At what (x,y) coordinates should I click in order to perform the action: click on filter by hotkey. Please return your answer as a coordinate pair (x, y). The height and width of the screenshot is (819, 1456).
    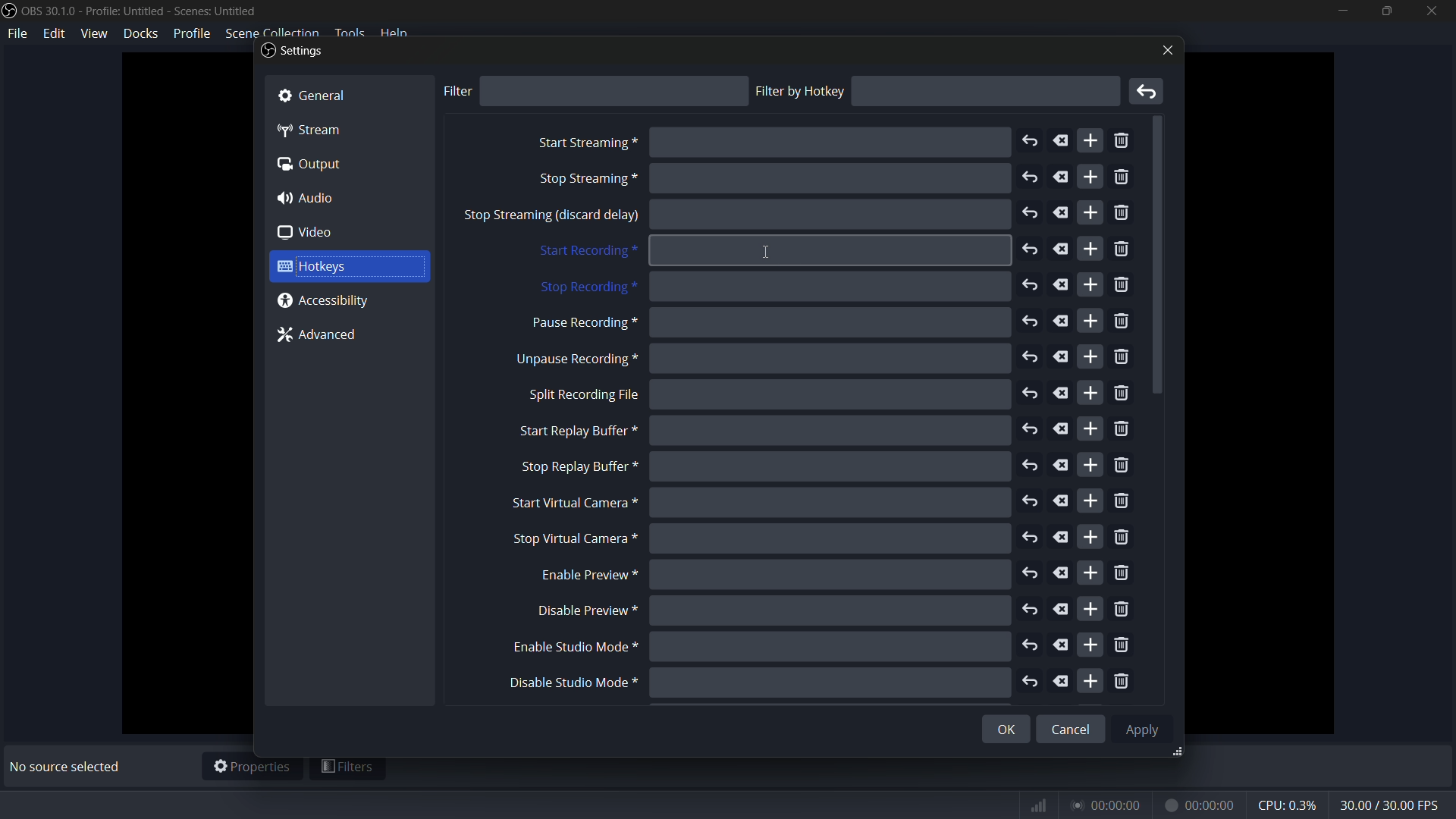
    Looking at the image, I should click on (800, 91).